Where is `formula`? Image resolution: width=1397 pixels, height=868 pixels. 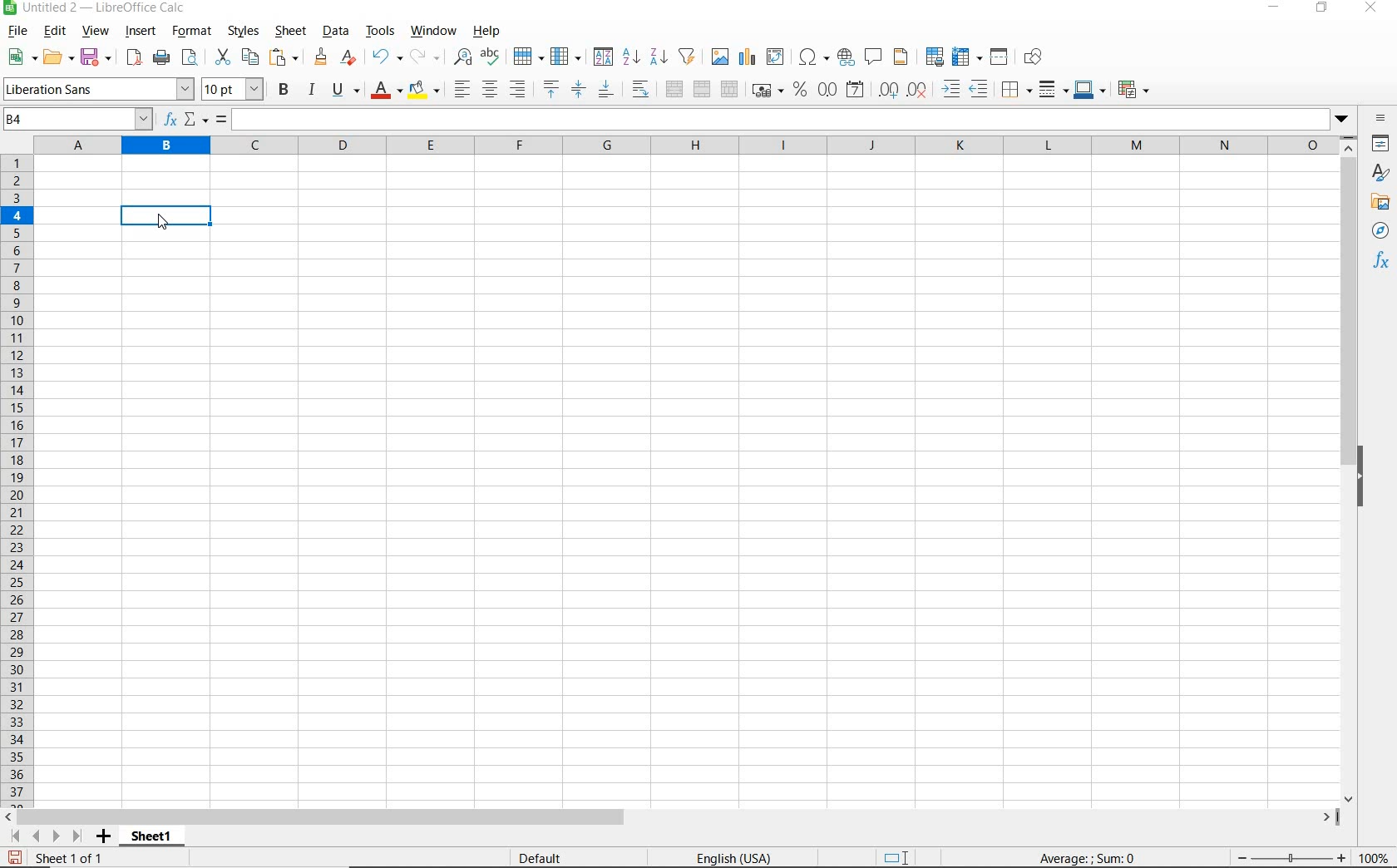 formula is located at coordinates (220, 118).